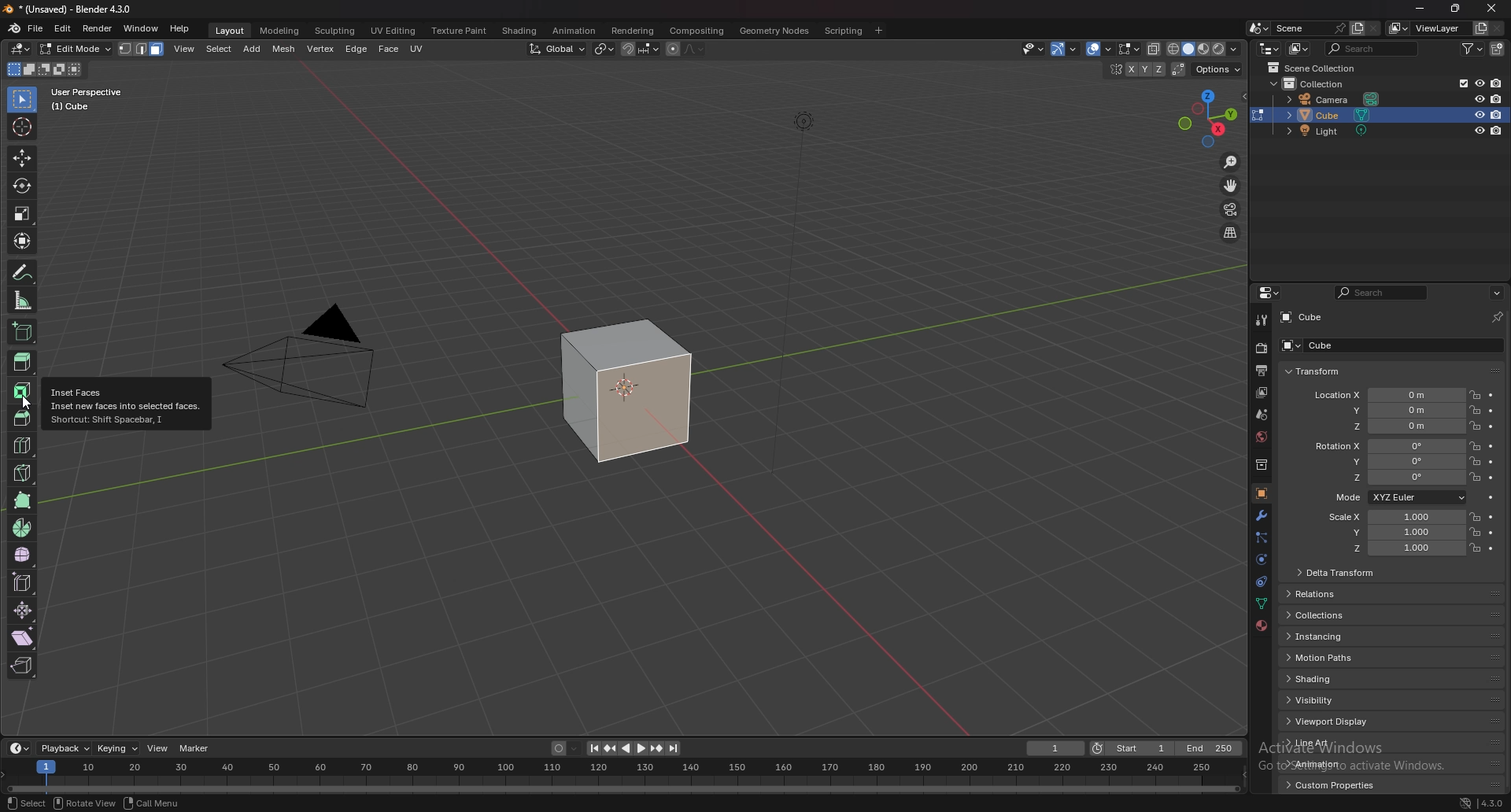  I want to click on window, so click(142, 28).